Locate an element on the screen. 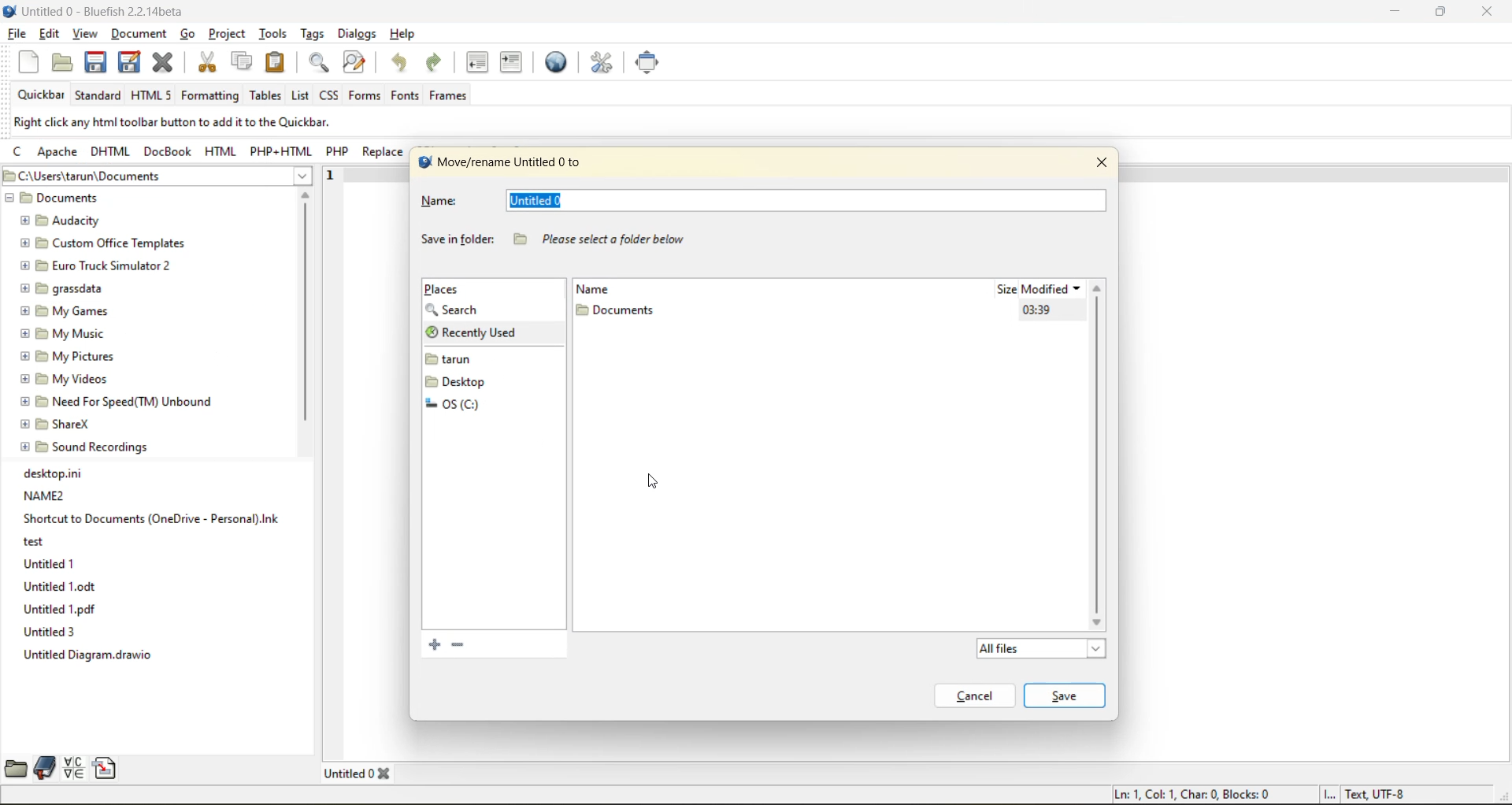 This screenshot has width=1512, height=805. file is located at coordinates (20, 37).